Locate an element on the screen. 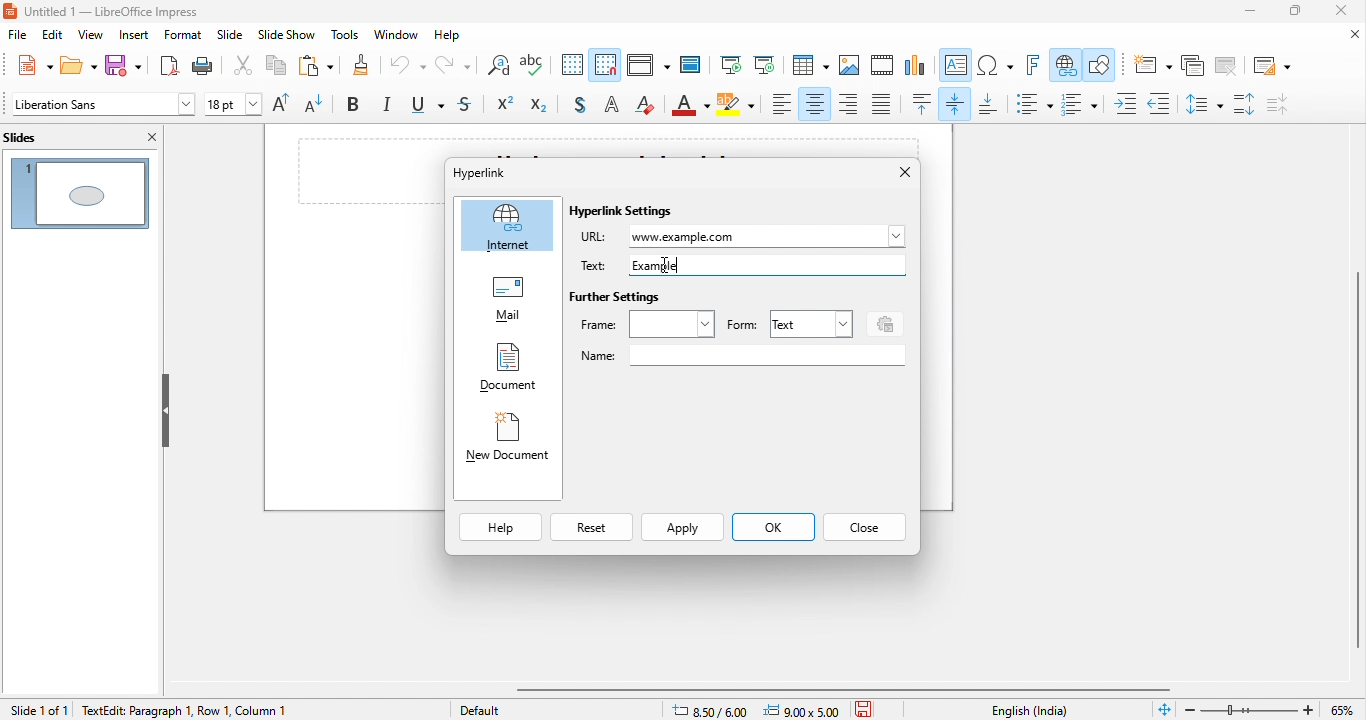  video is located at coordinates (883, 67).